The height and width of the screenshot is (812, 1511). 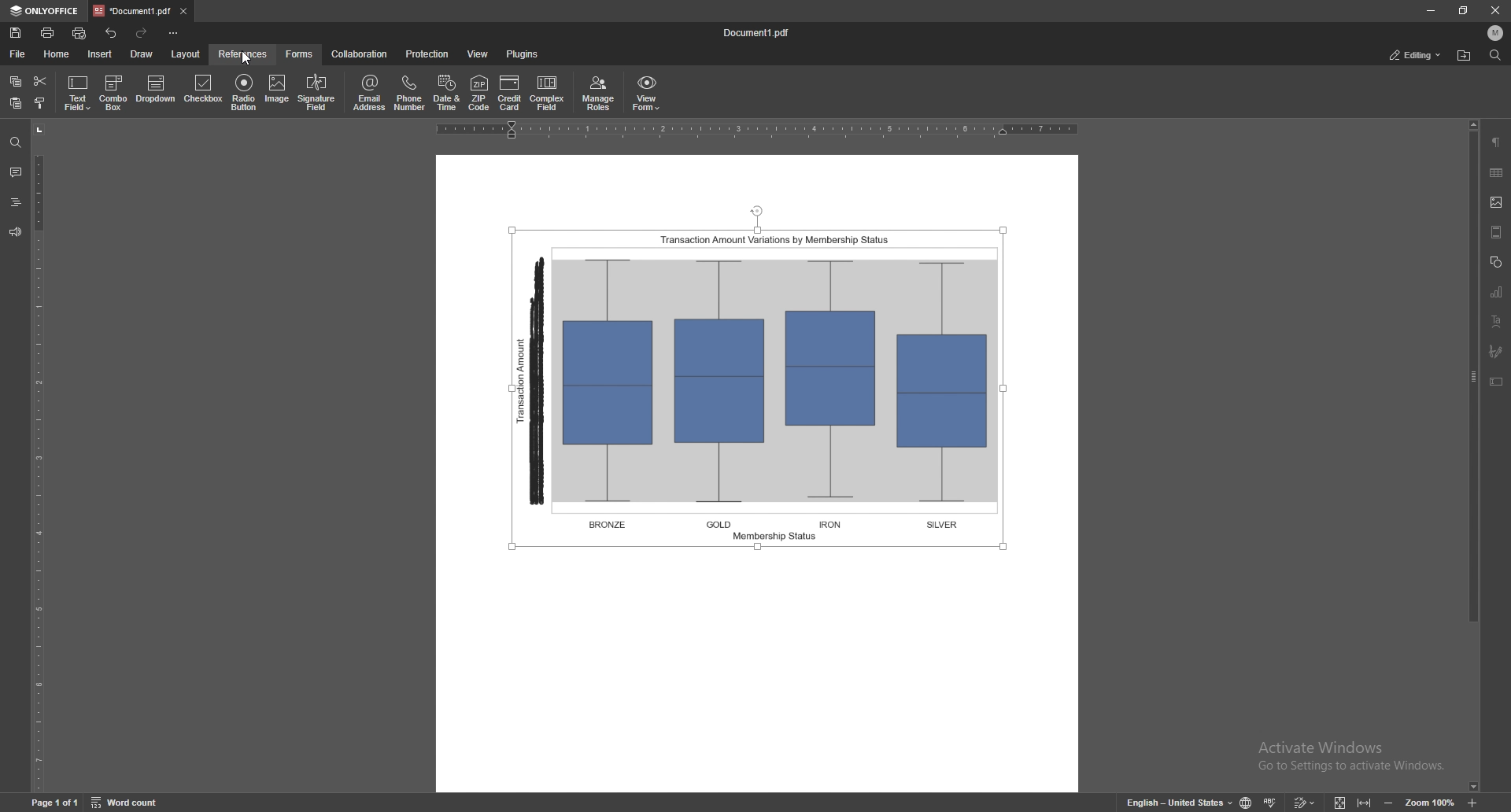 What do you see at coordinates (132, 11) in the screenshot?
I see `tab` at bounding box center [132, 11].